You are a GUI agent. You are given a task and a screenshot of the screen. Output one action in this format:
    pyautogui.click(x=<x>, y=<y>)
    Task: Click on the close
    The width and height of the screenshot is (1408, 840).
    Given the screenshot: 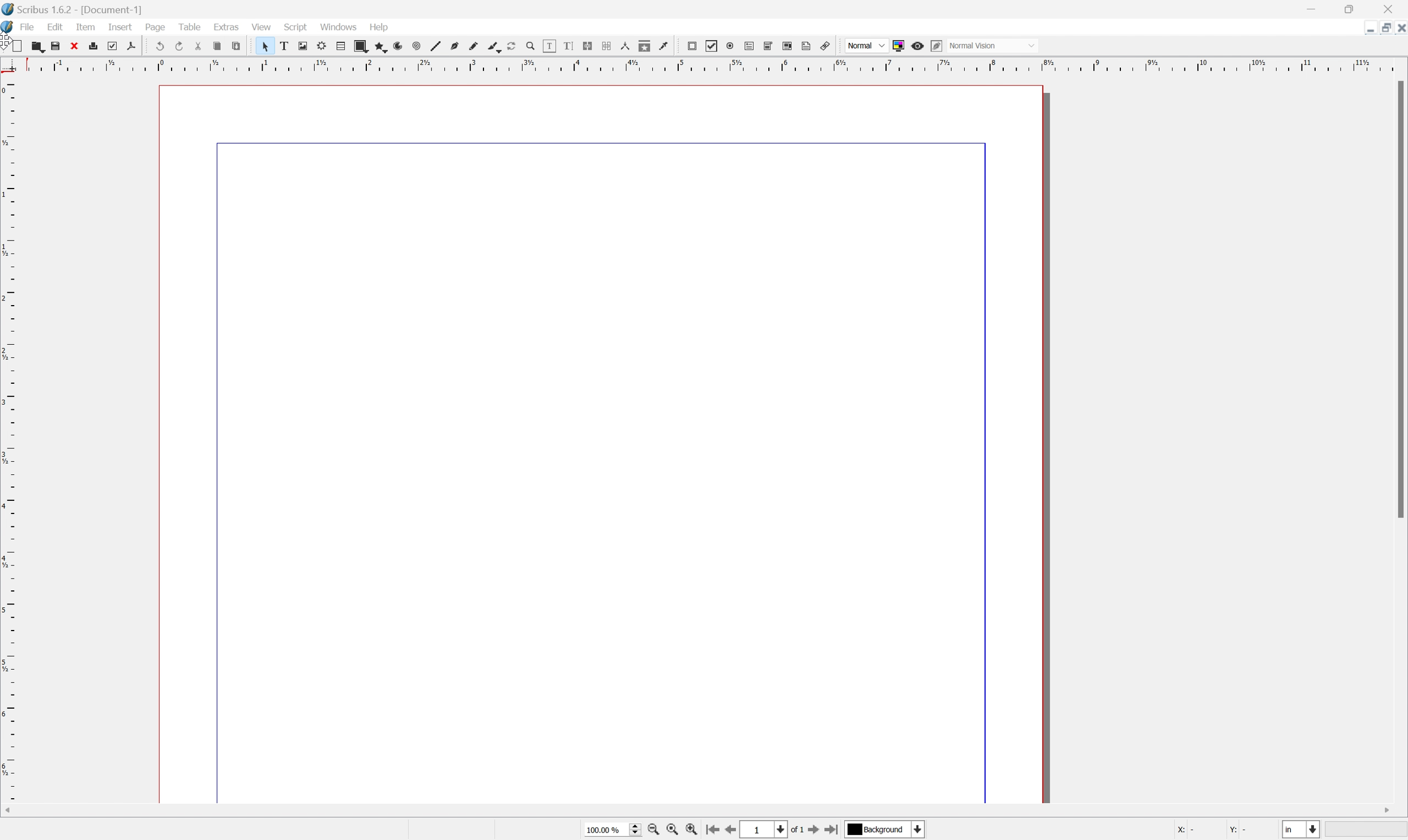 What is the action you would take?
    pyautogui.click(x=1399, y=29)
    